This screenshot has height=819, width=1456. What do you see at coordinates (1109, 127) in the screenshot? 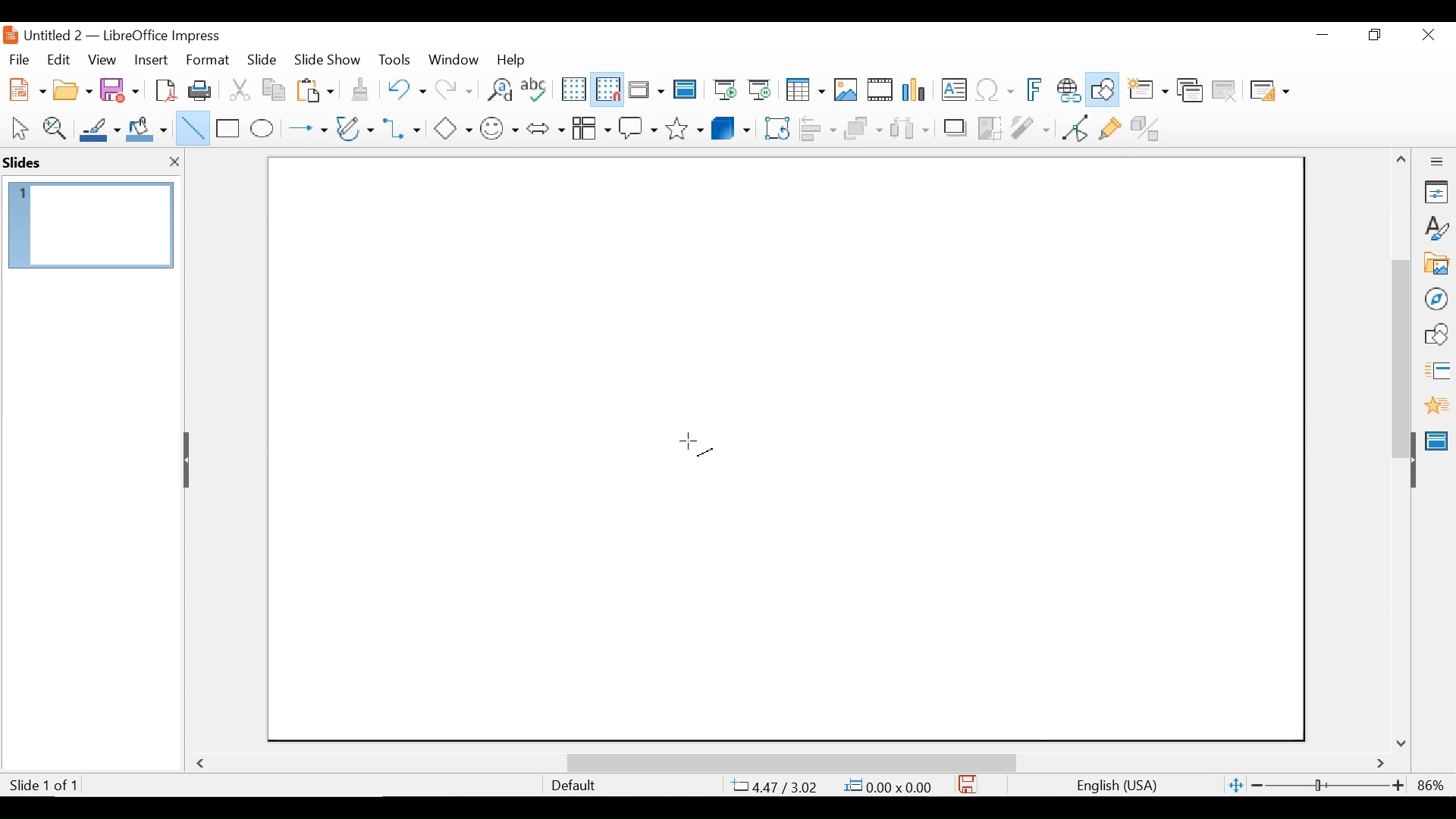
I see `Show Gluepoint Functions` at bounding box center [1109, 127].